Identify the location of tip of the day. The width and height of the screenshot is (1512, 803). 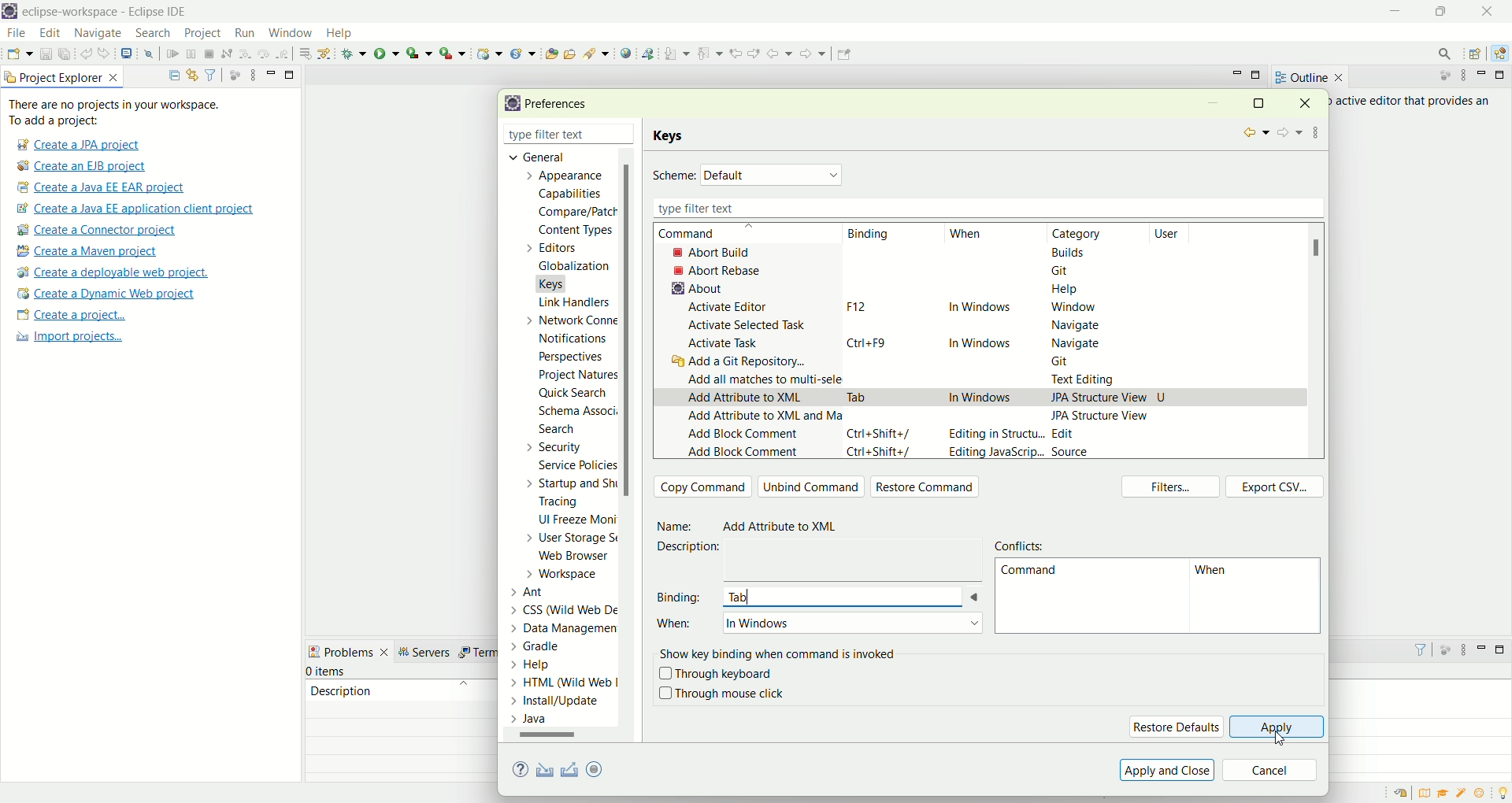
(1503, 791).